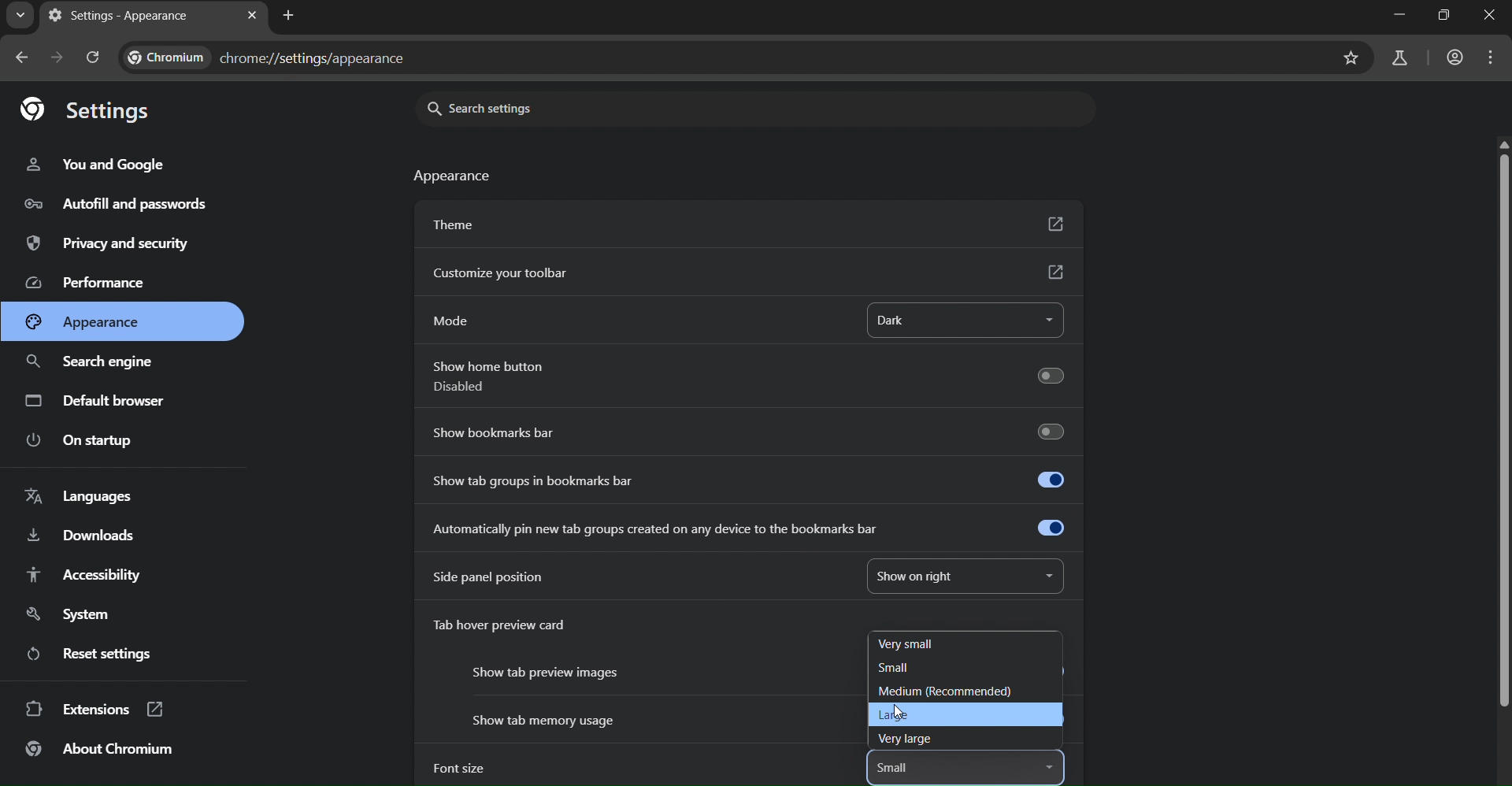  I want to click on you & google, so click(103, 162).